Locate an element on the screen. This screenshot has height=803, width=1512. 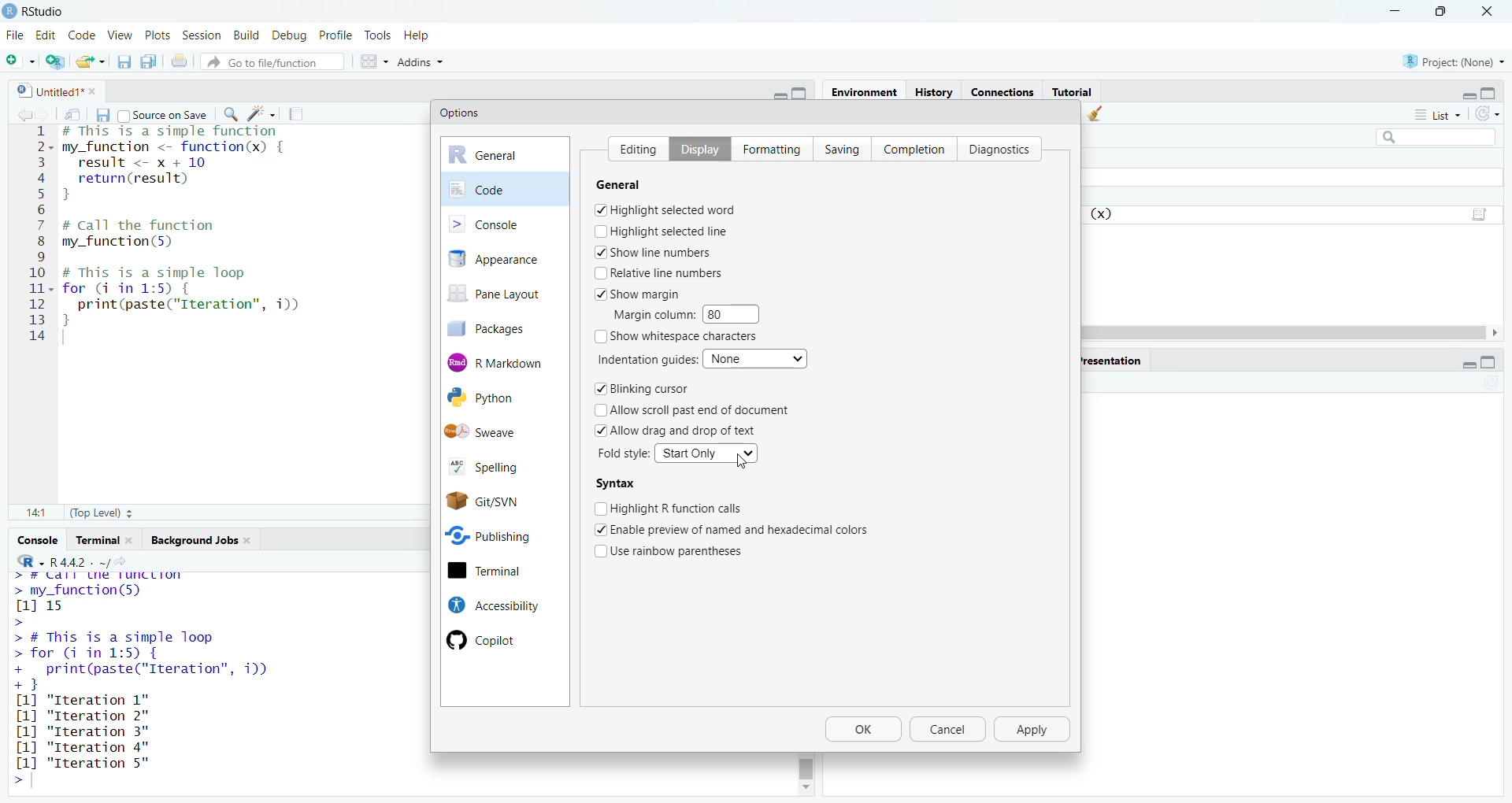
help is located at coordinates (422, 34).